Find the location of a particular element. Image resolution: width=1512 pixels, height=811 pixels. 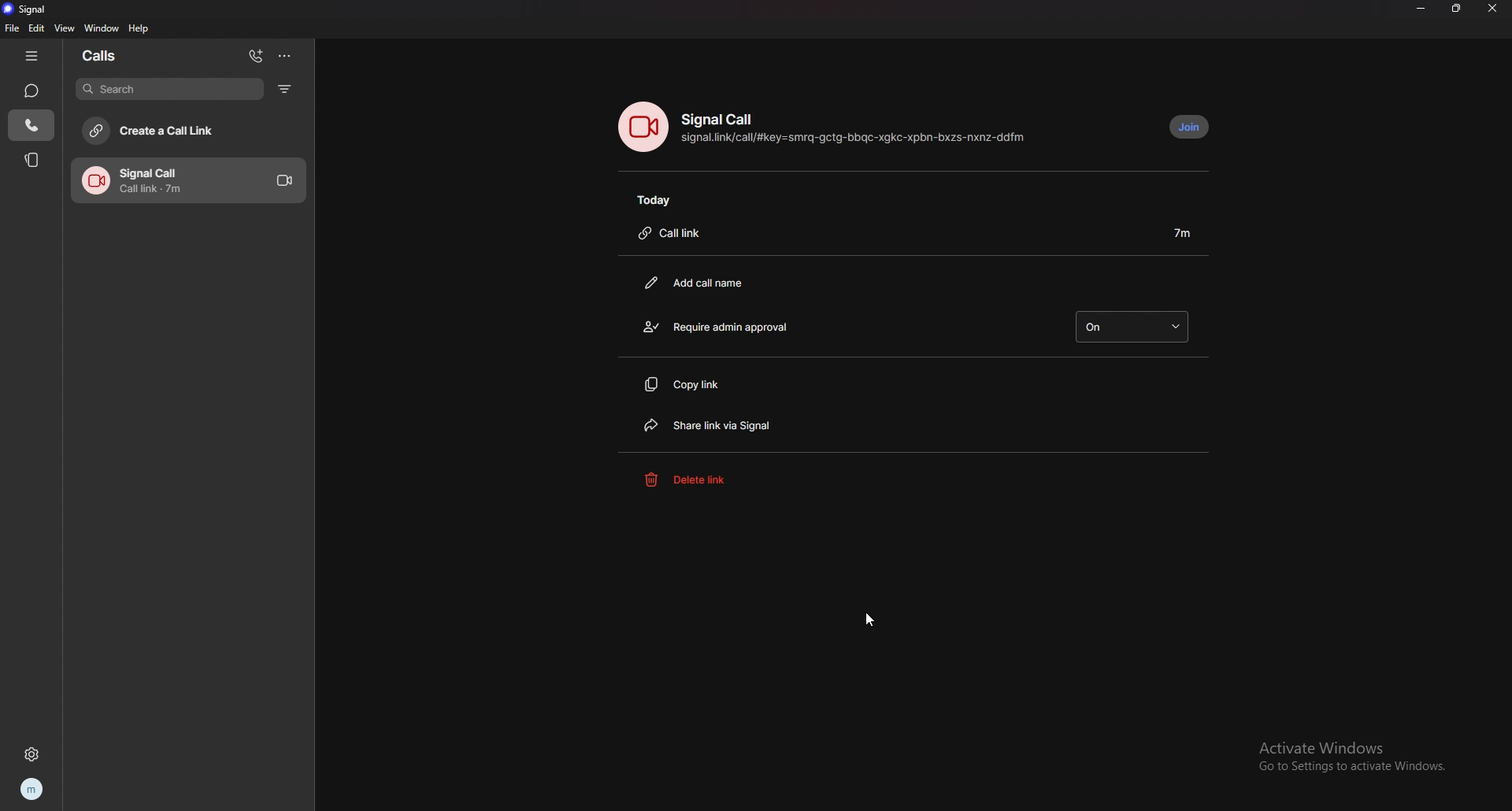

voice call is located at coordinates (643, 127).